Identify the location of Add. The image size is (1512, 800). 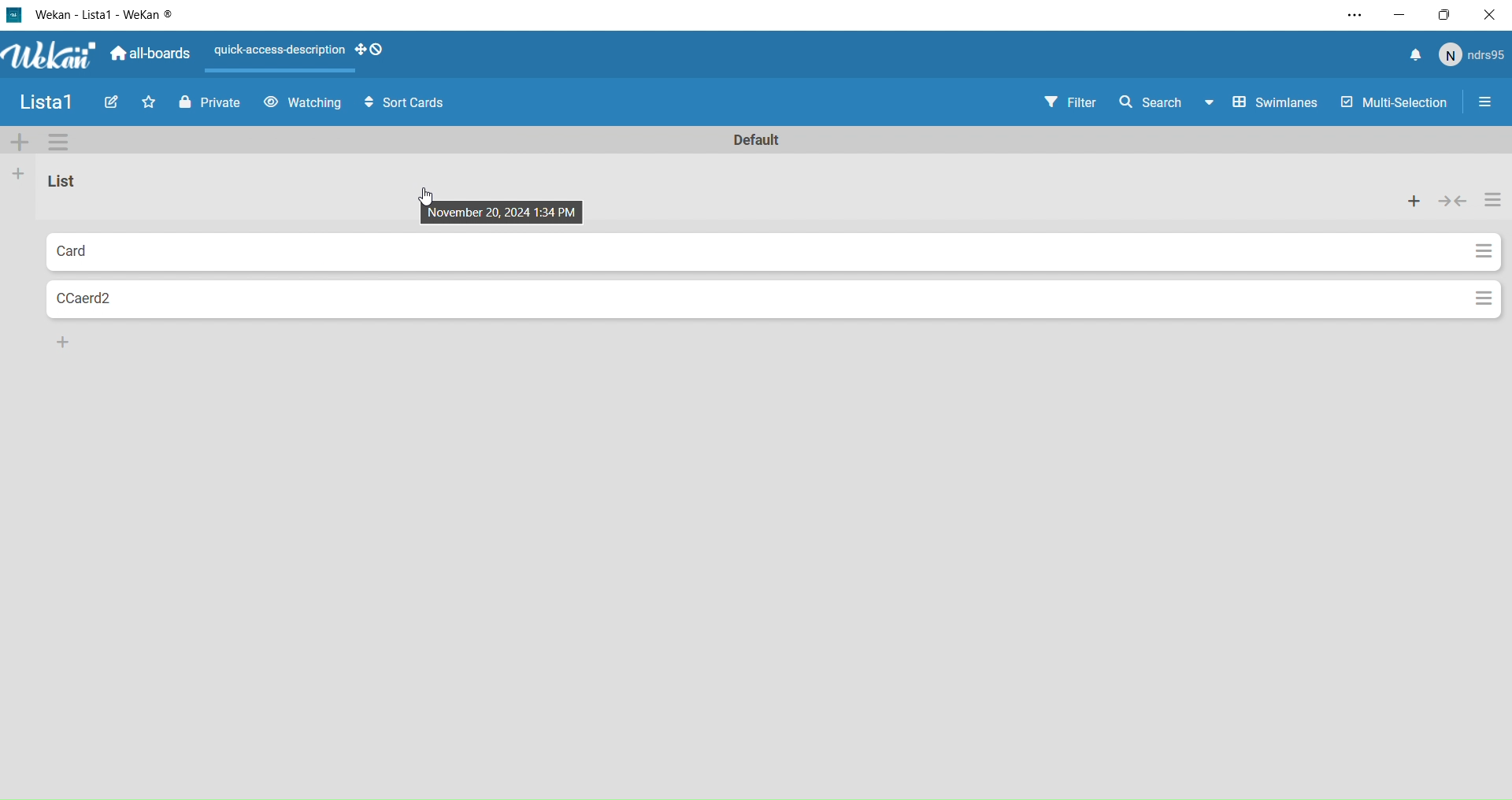
(62, 341).